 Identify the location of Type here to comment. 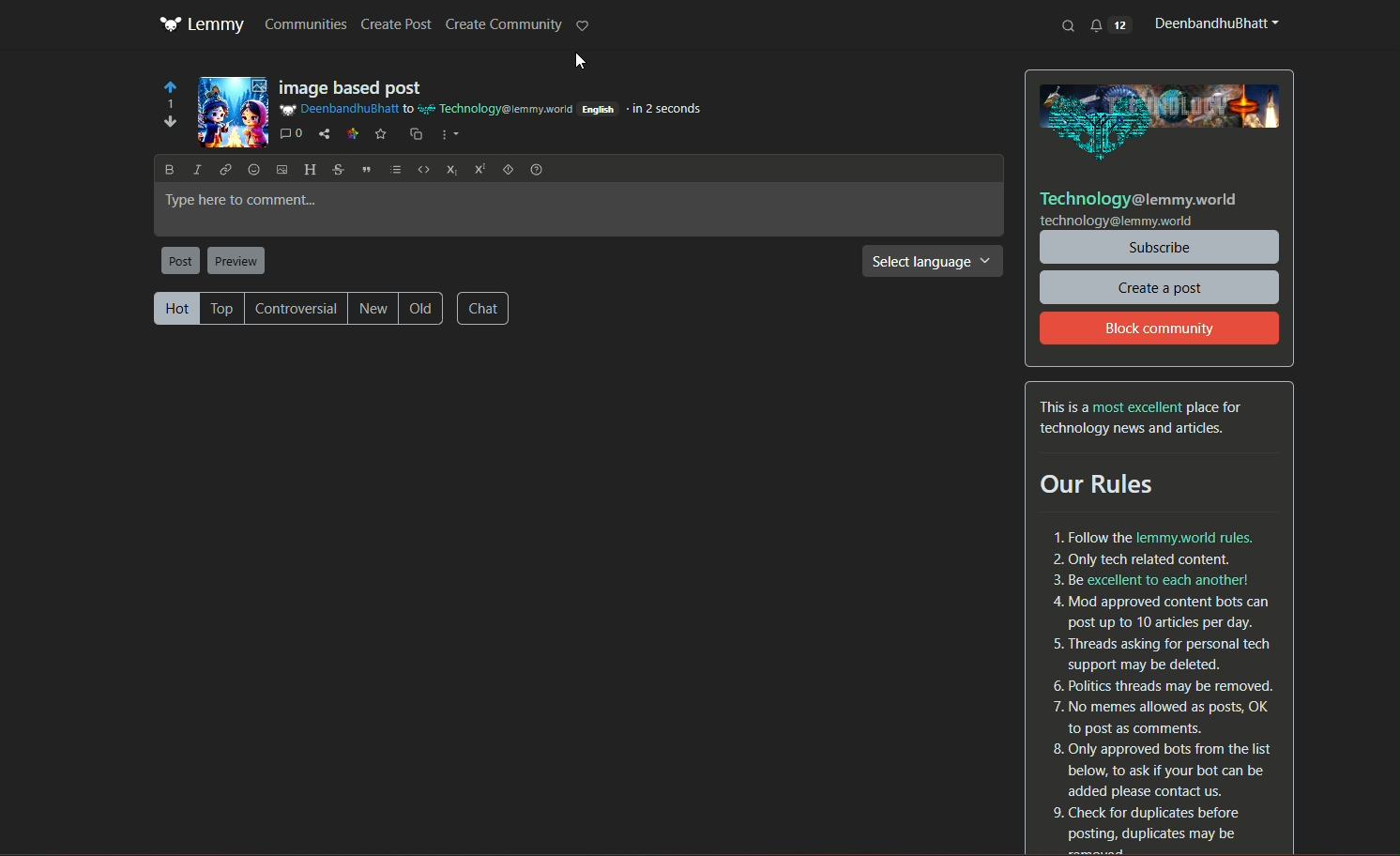
(579, 210).